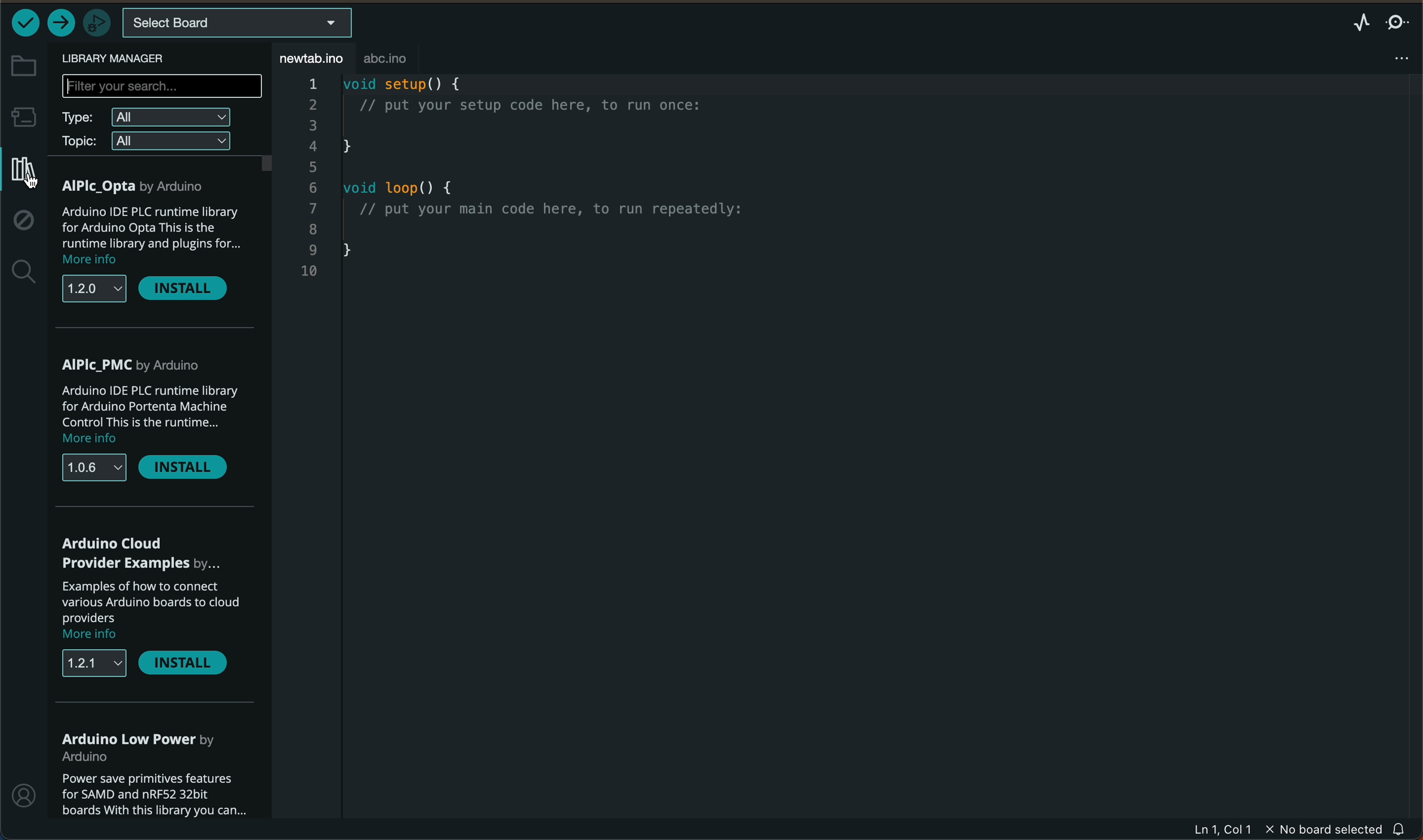  Describe the element at coordinates (61, 23) in the screenshot. I see `upload` at that location.